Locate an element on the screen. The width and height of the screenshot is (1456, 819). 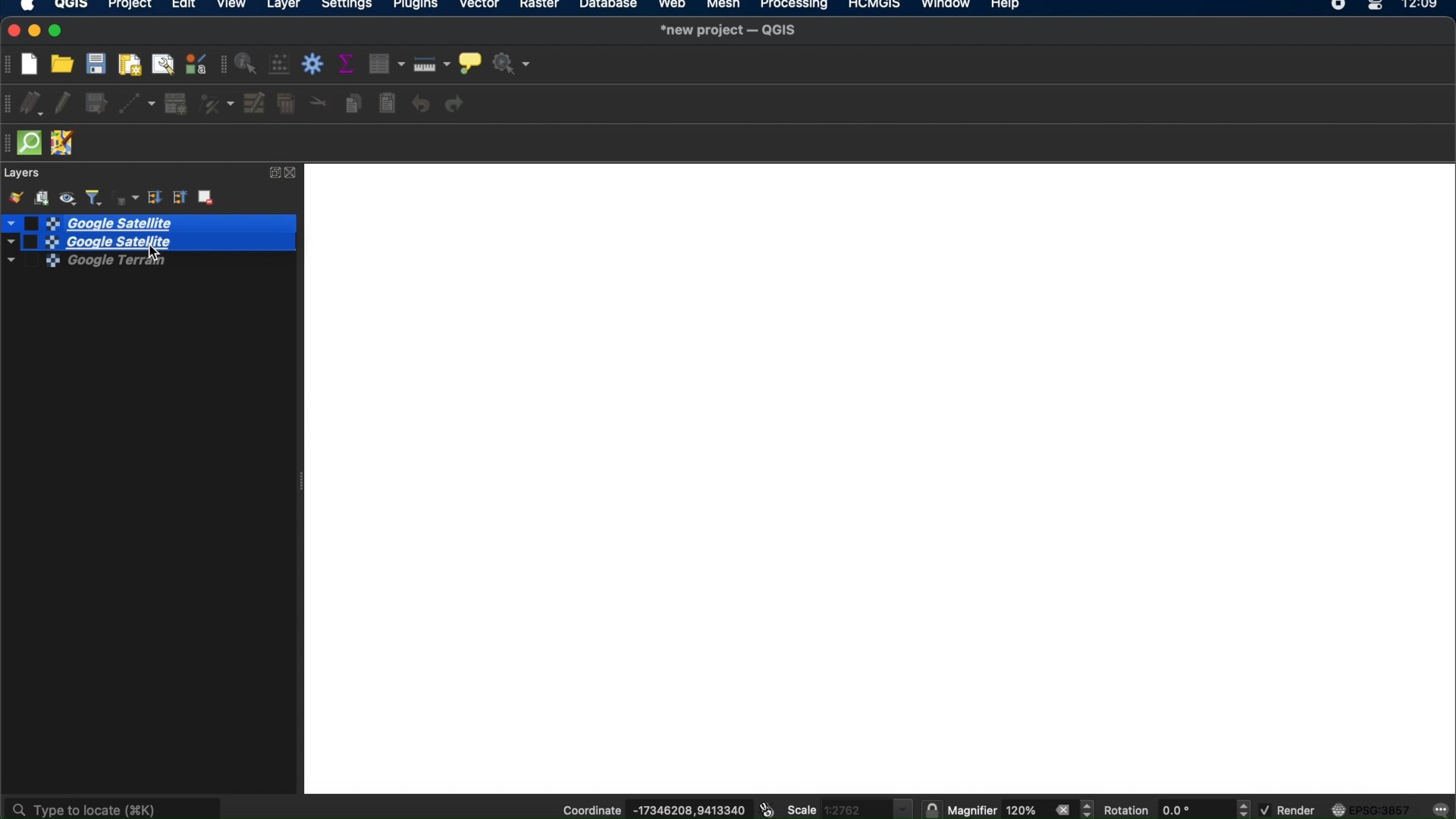
paste features is located at coordinates (389, 104).